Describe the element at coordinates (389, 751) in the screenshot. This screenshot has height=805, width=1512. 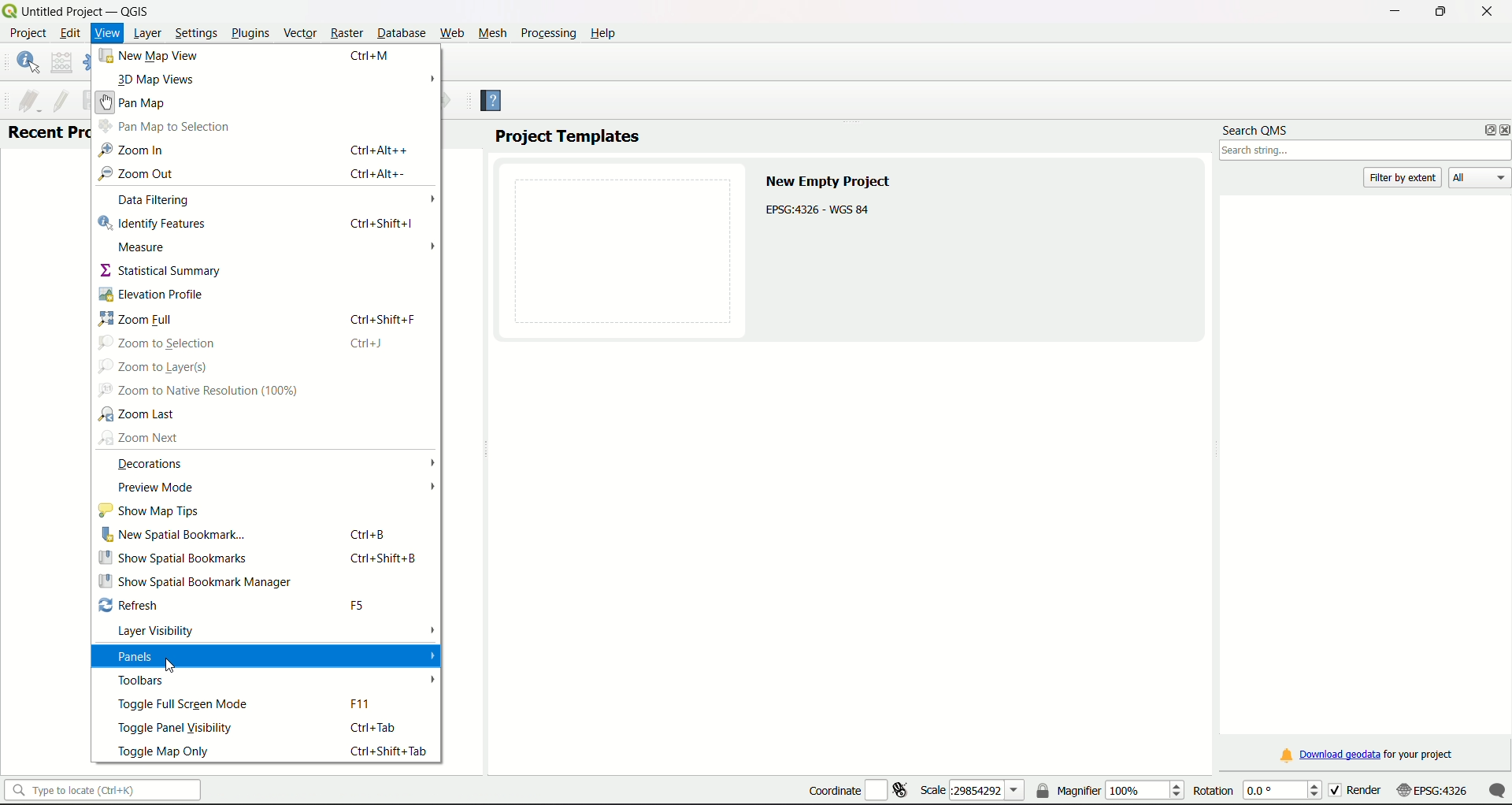
I see `ctrl+shift+tab` at that location.